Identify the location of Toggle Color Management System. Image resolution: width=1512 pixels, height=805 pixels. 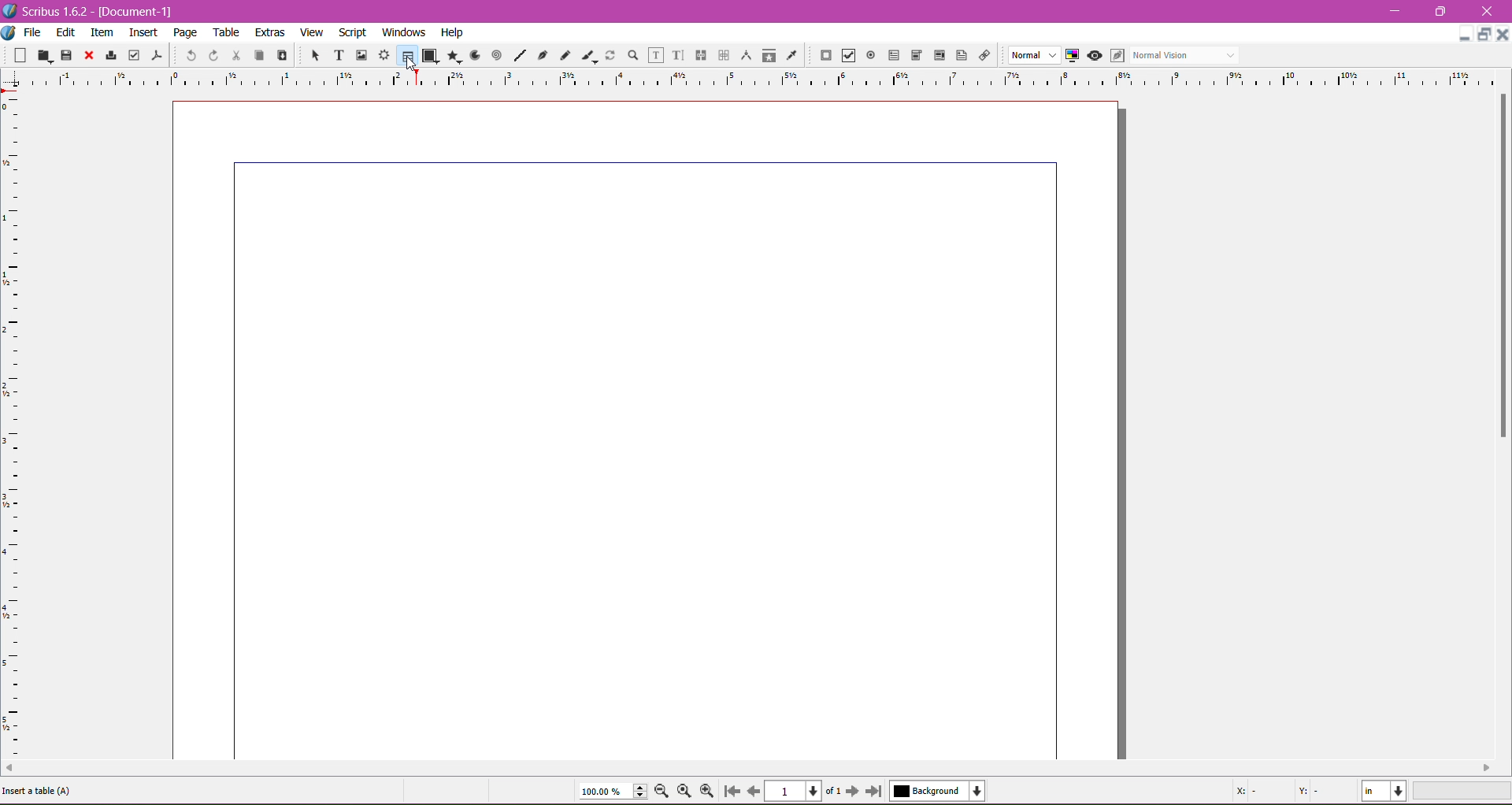
(1070, 54).